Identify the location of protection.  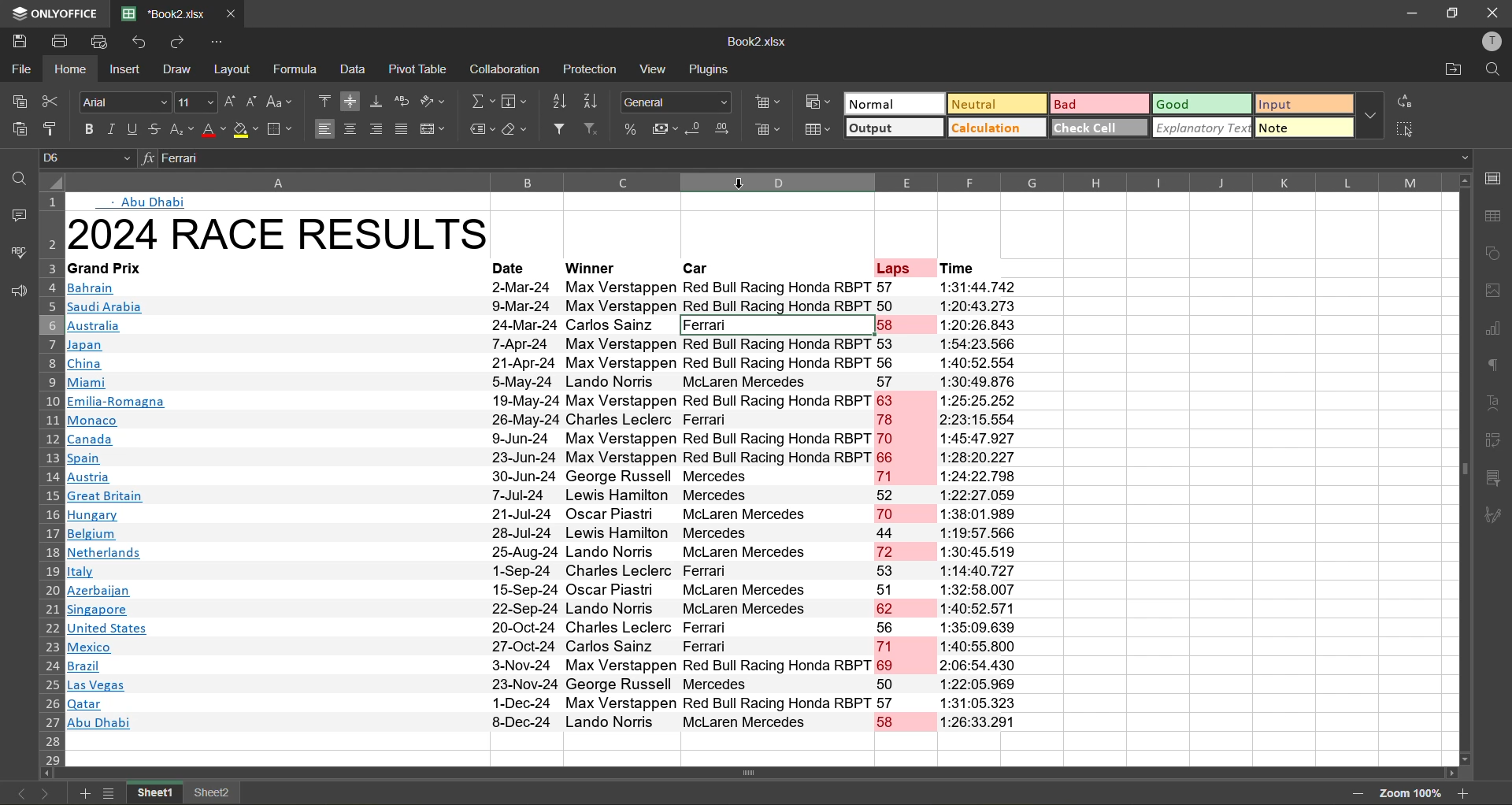
(591, 69).